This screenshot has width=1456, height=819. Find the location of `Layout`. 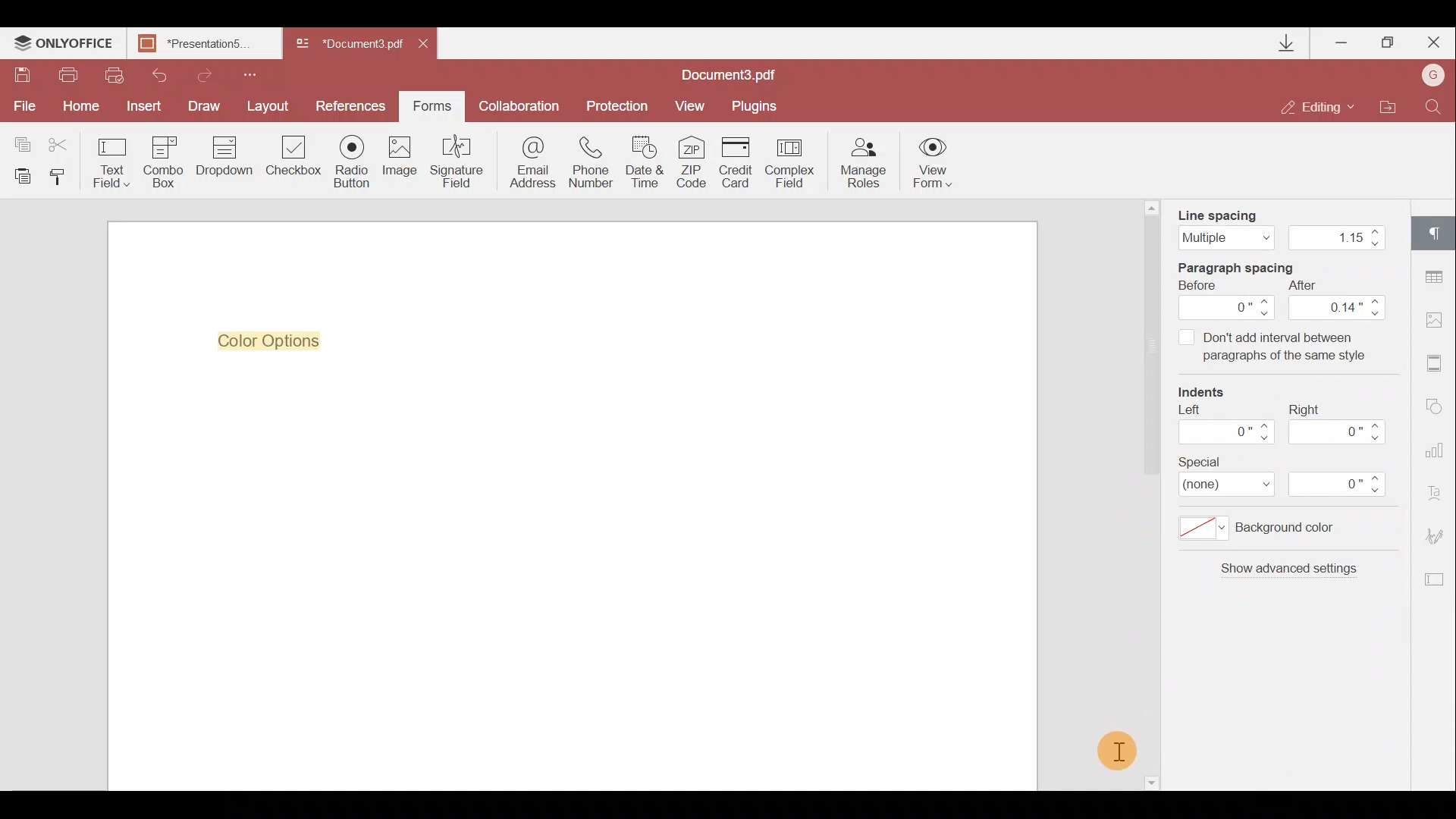

Layout is located at coordinates (272, 106).